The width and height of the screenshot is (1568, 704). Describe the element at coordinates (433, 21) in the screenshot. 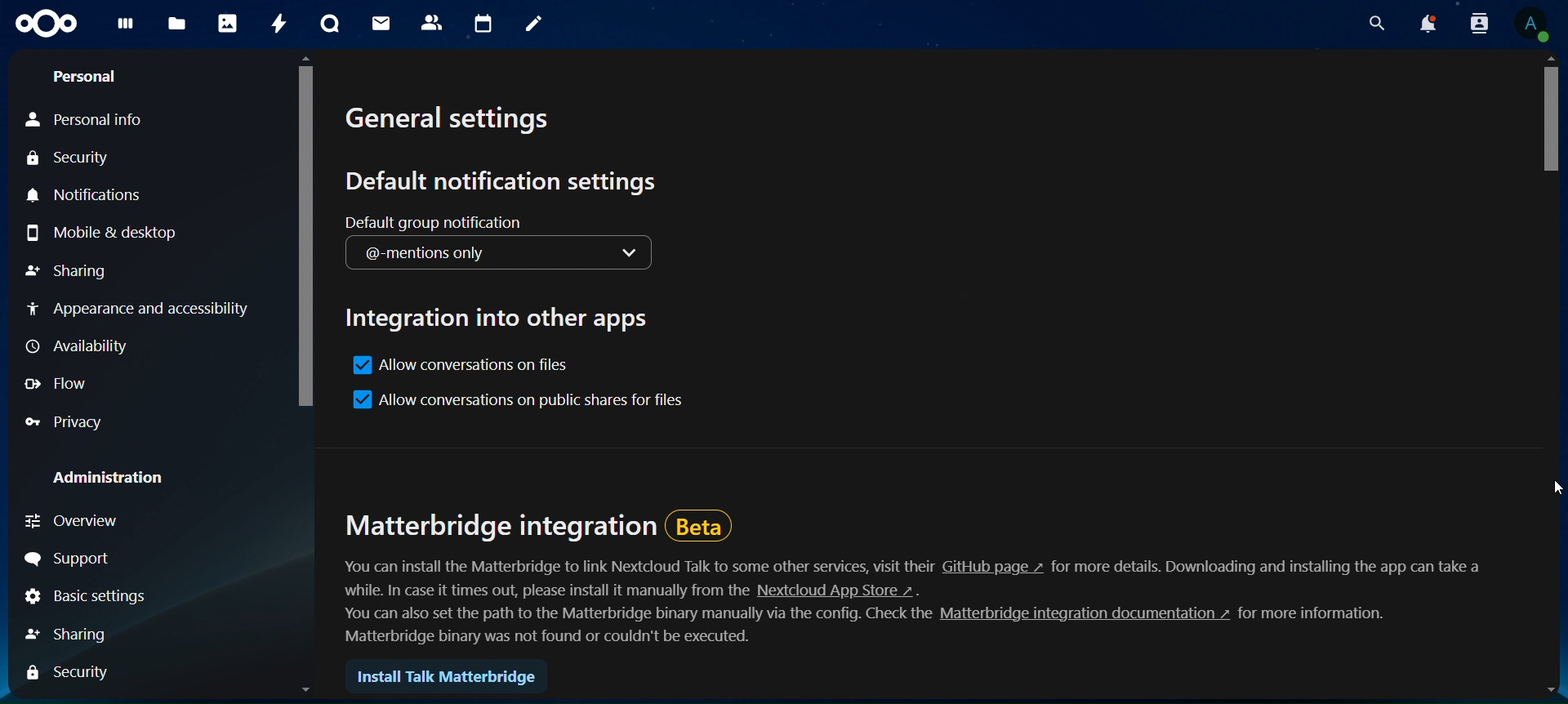

I see `contacts` at that location.